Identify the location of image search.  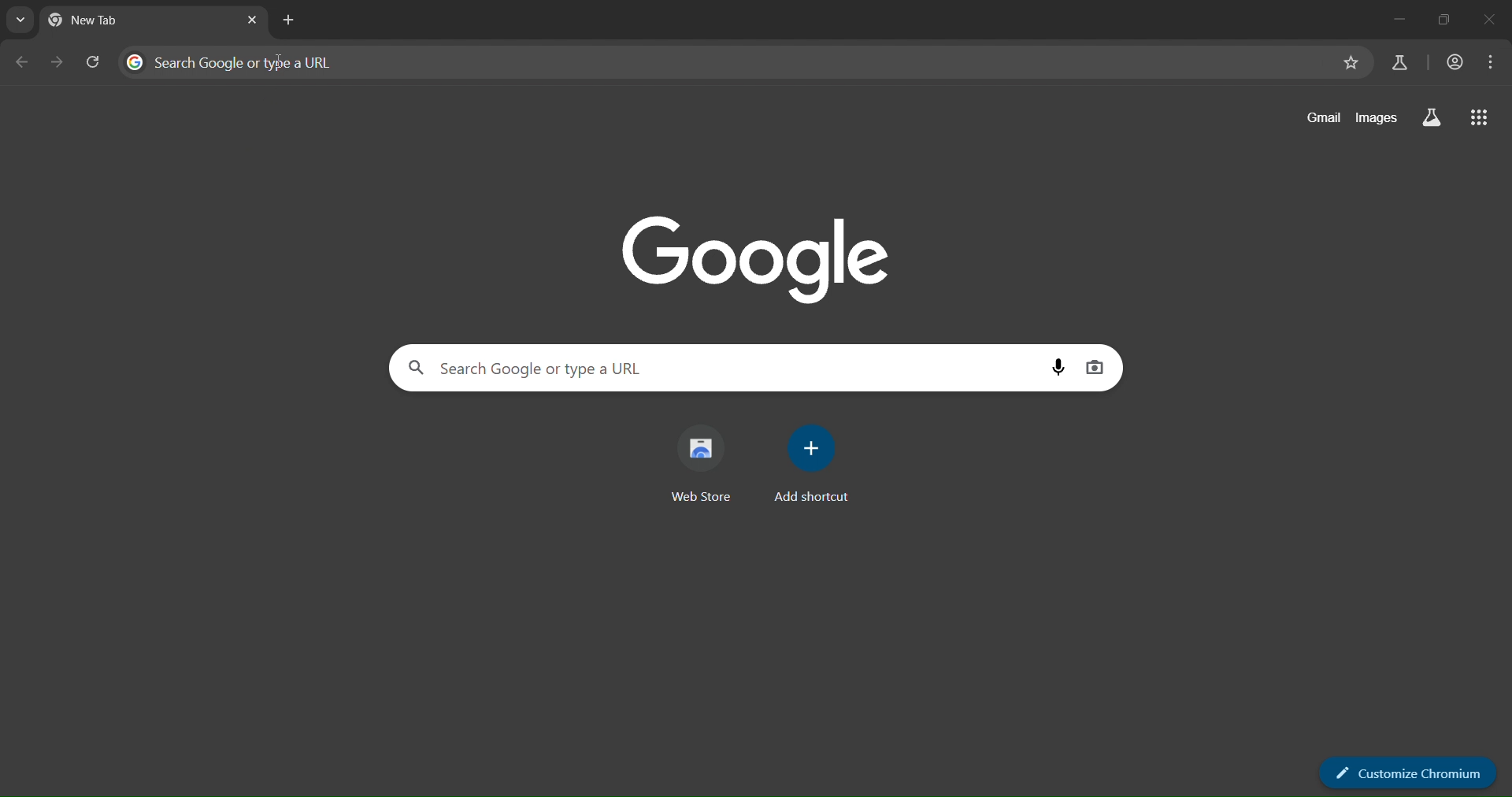
(1099, 367).